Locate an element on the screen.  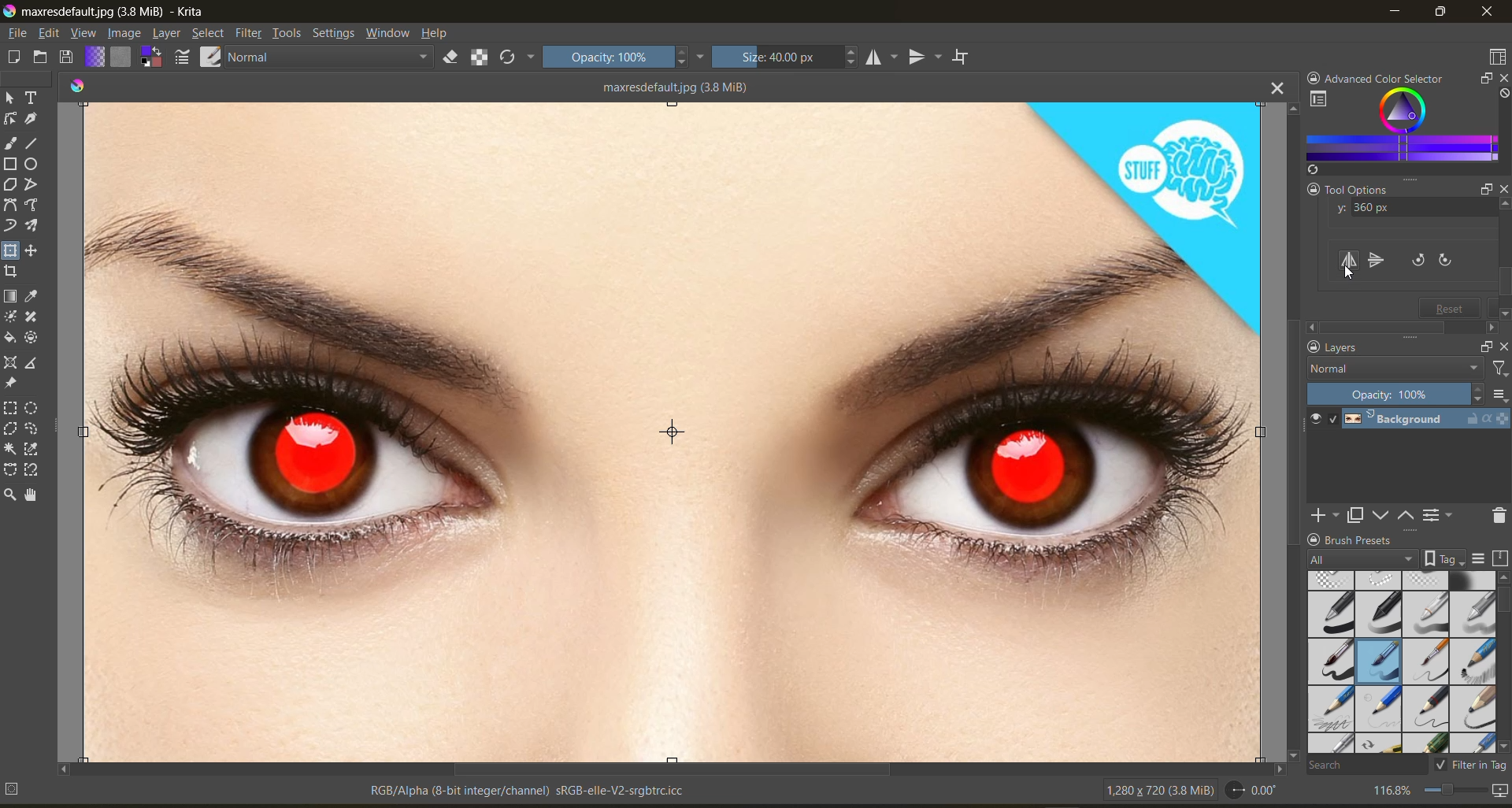
Brush Presets is located at coordinates (1392, 539).